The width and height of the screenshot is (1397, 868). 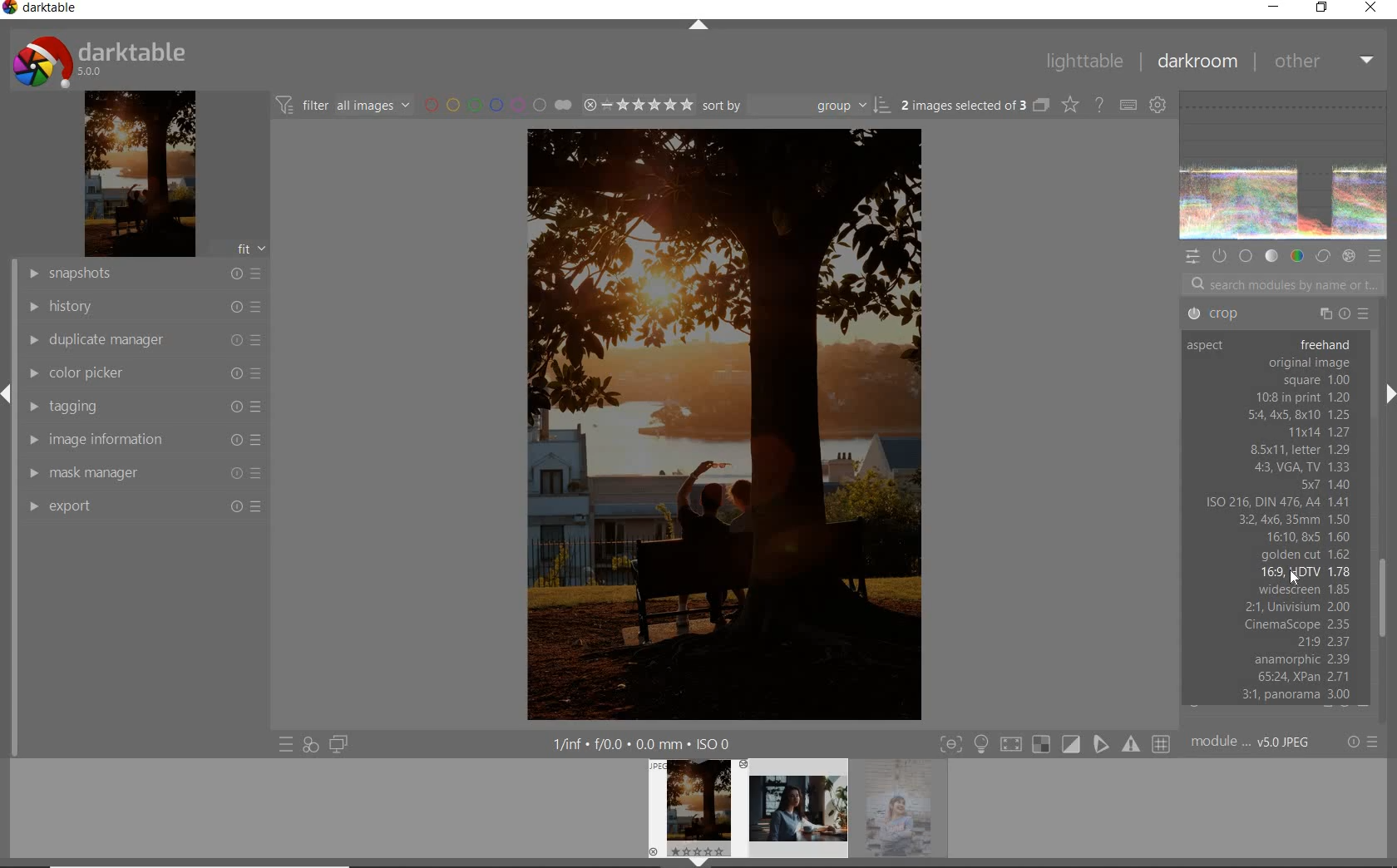 I want to click on filter images, so click(x=343, y=106).